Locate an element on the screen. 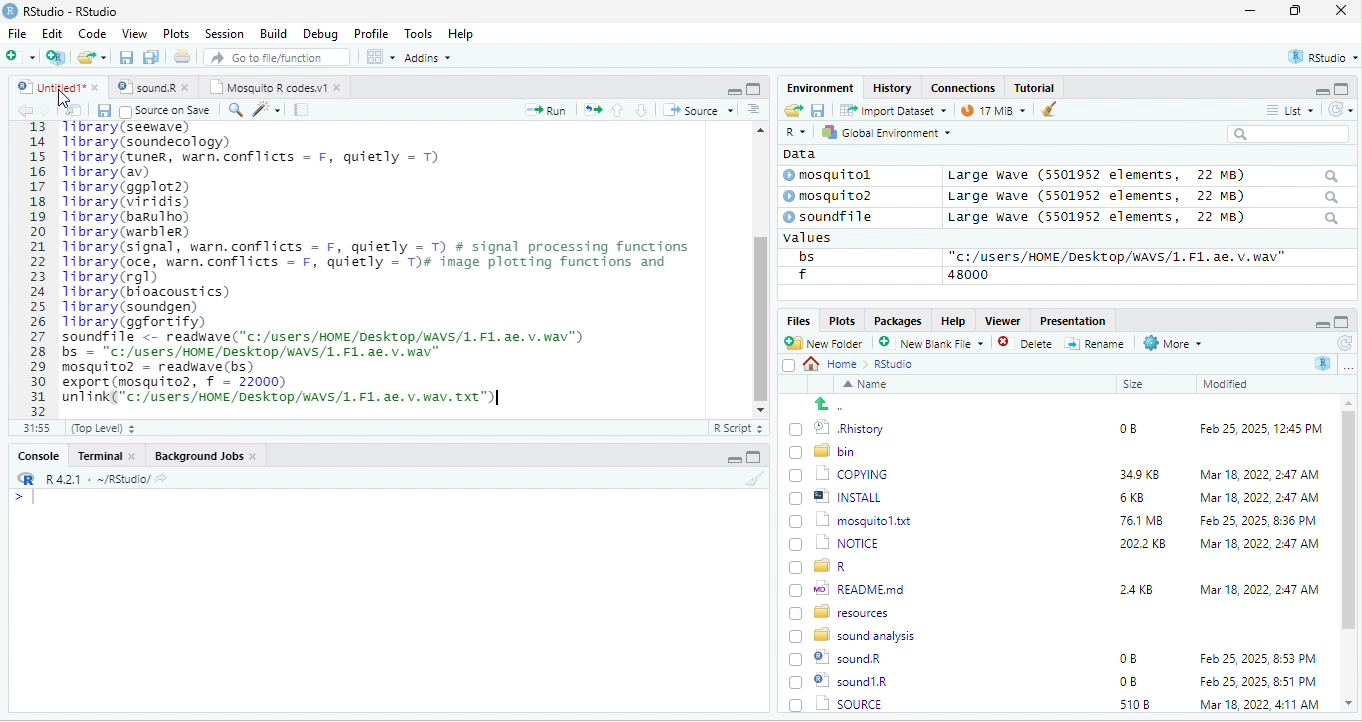 This screenshot has height=722, width=1362. select is located at coordinates (791, 369).